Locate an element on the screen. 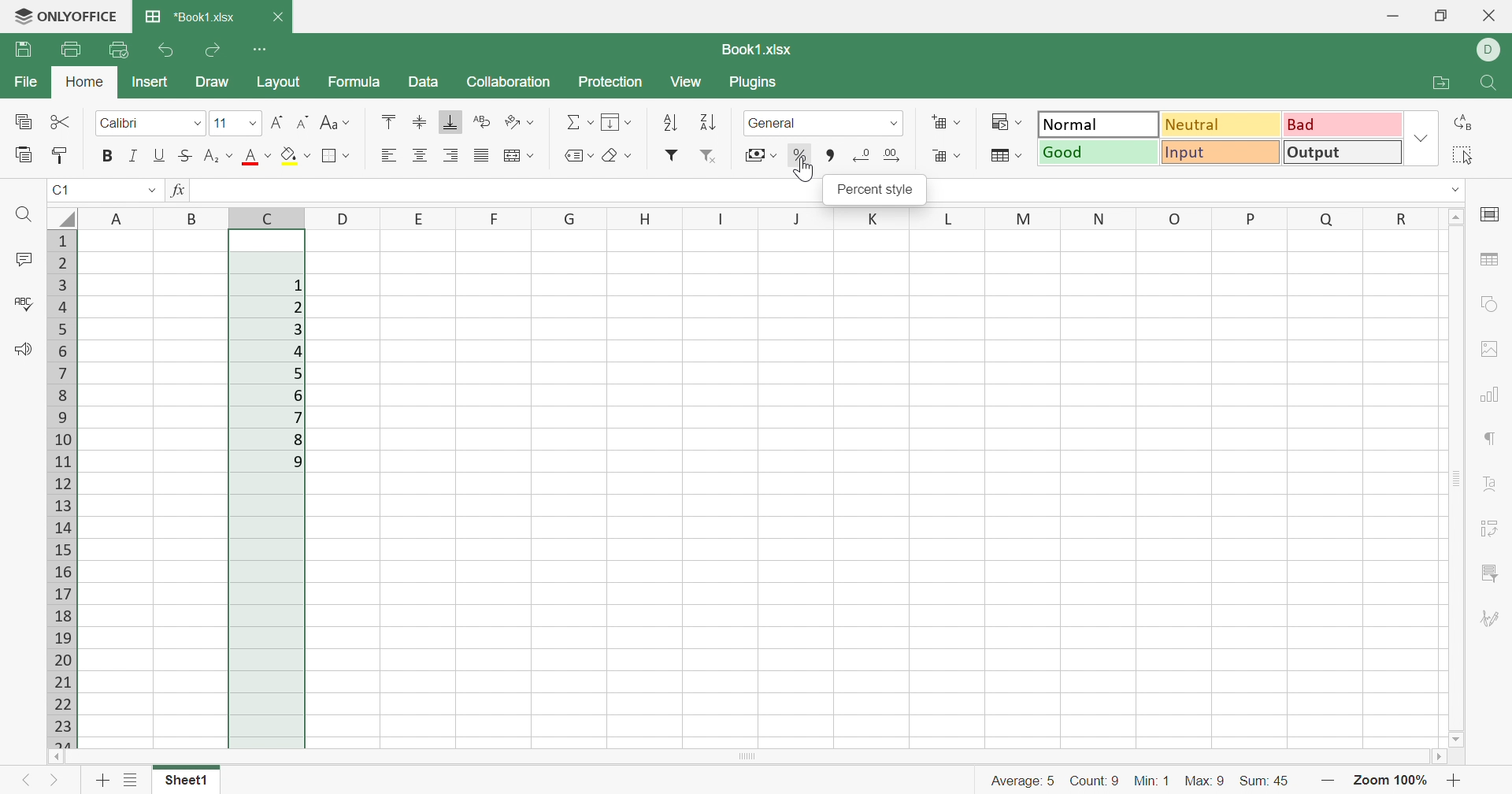 The height and width of the screenshot is (794, 1512). Pivot Table settings is located at coordinates (1494, 531).